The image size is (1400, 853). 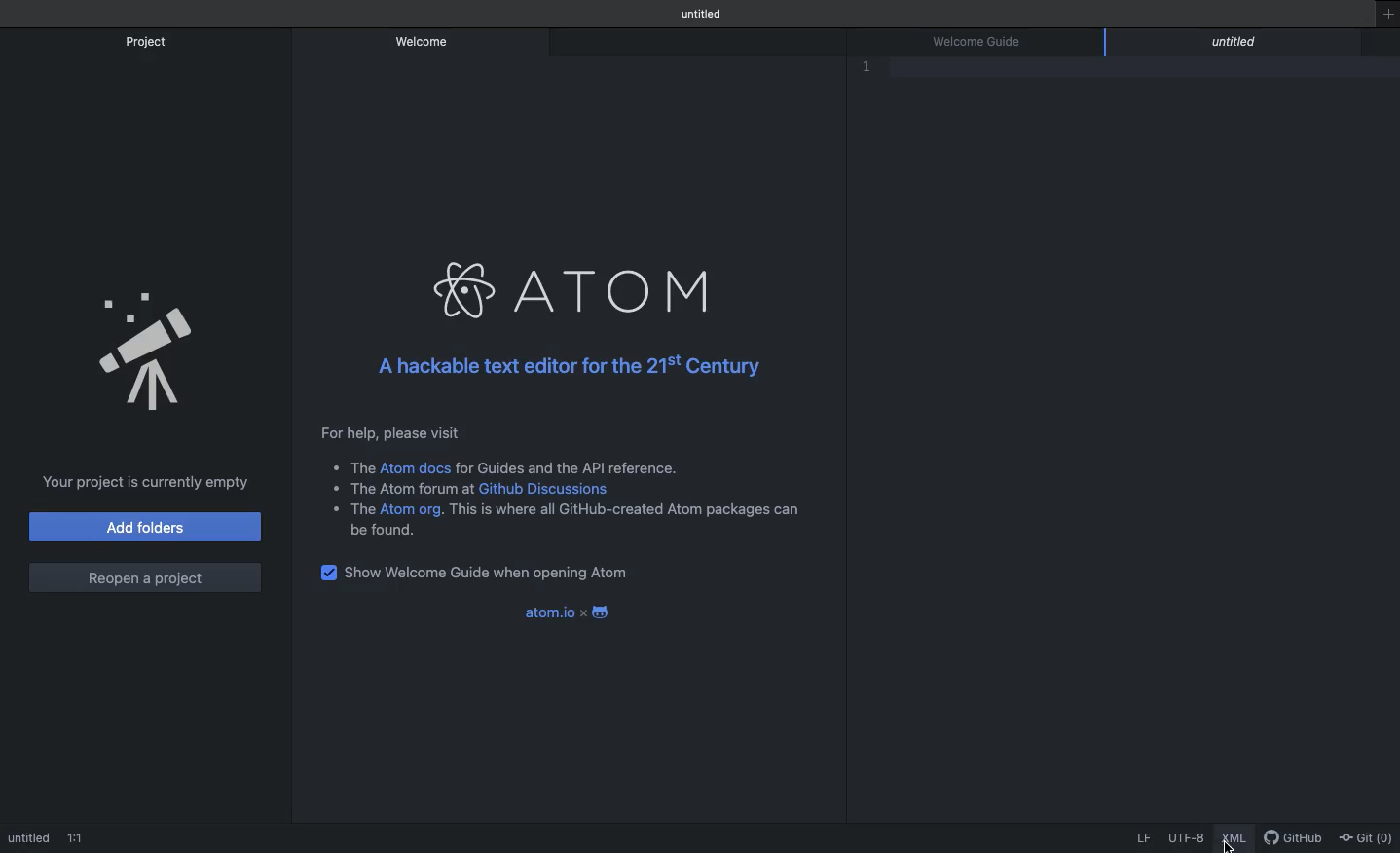 I want to click on for Guides and the API reference, so click(x=573, y=466).